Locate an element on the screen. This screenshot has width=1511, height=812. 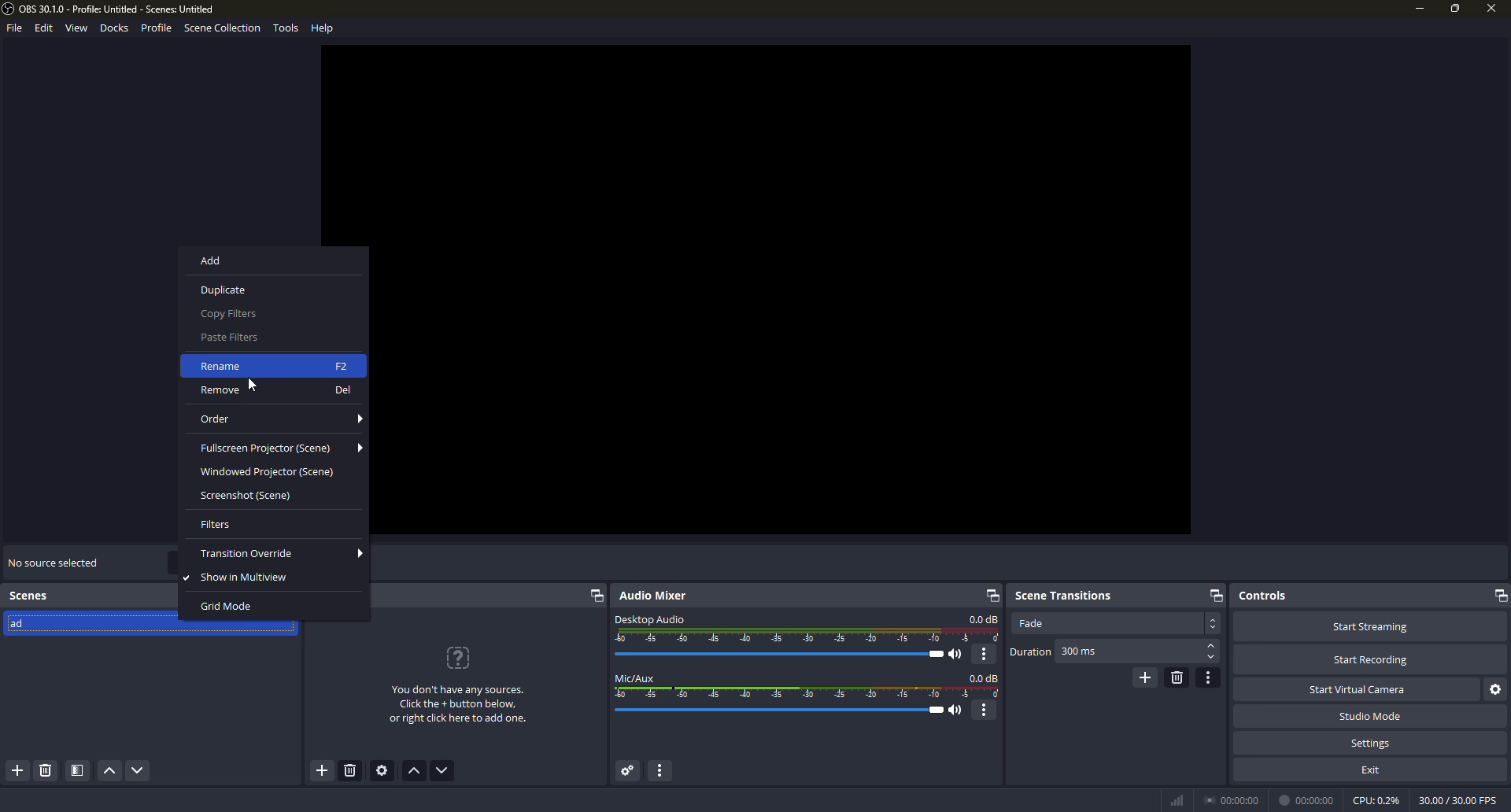
mute is located at coordinates (959, 655).